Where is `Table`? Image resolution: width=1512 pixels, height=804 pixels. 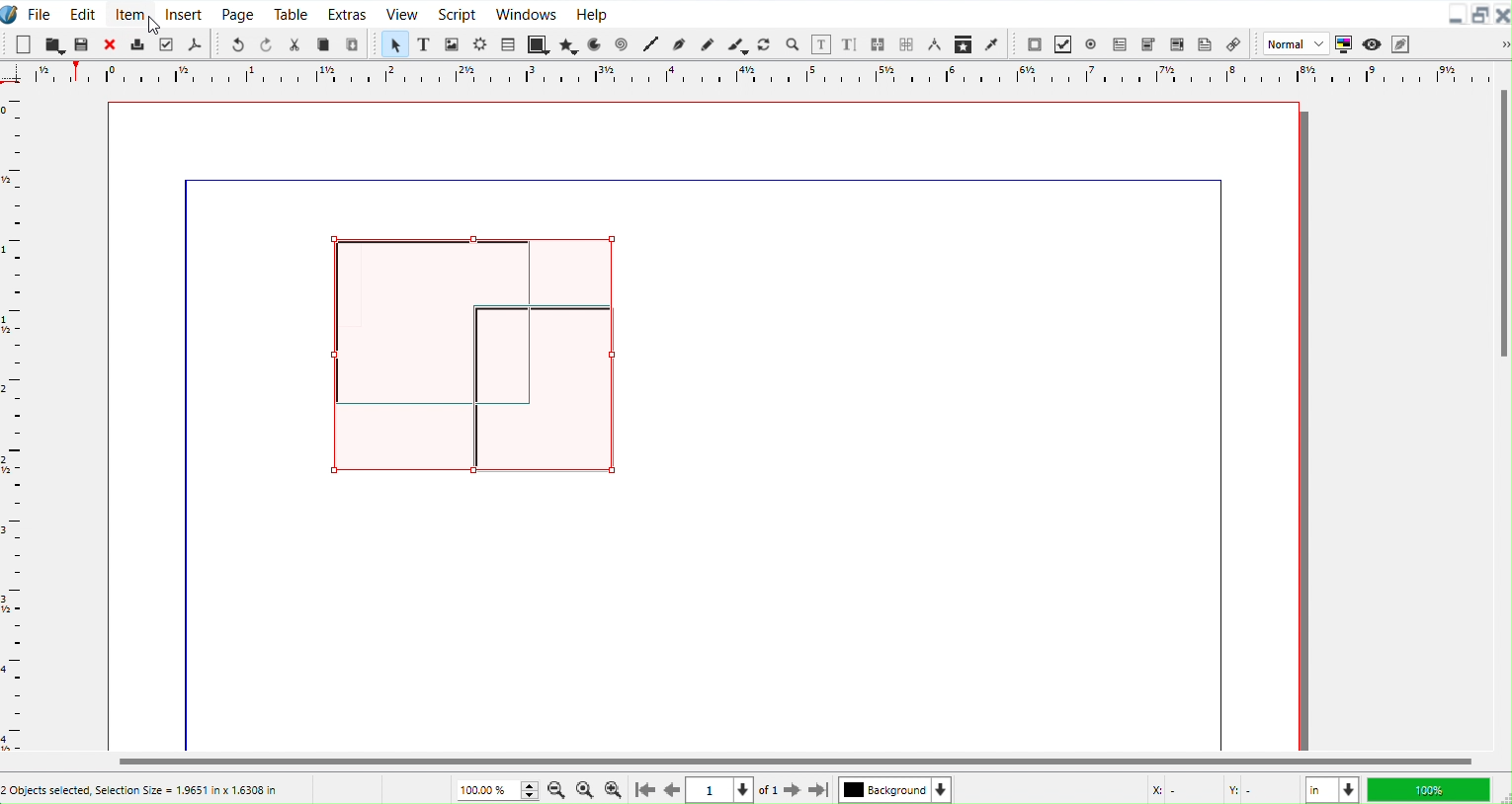
Table is located at coordinates (508, 43).